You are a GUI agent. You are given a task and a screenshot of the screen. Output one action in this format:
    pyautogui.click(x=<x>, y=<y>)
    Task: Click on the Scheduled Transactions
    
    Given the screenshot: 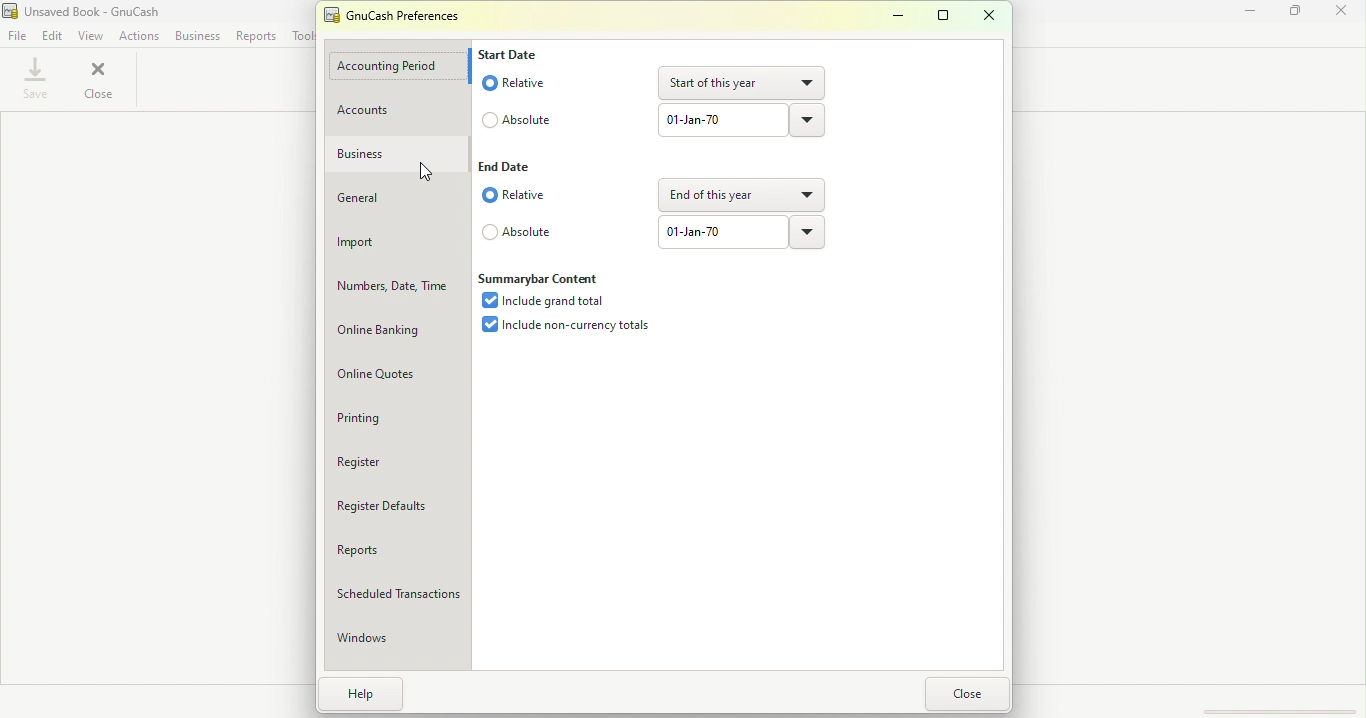 What is the action you would take?
    pyautogui.click(x=399, y=588)
    